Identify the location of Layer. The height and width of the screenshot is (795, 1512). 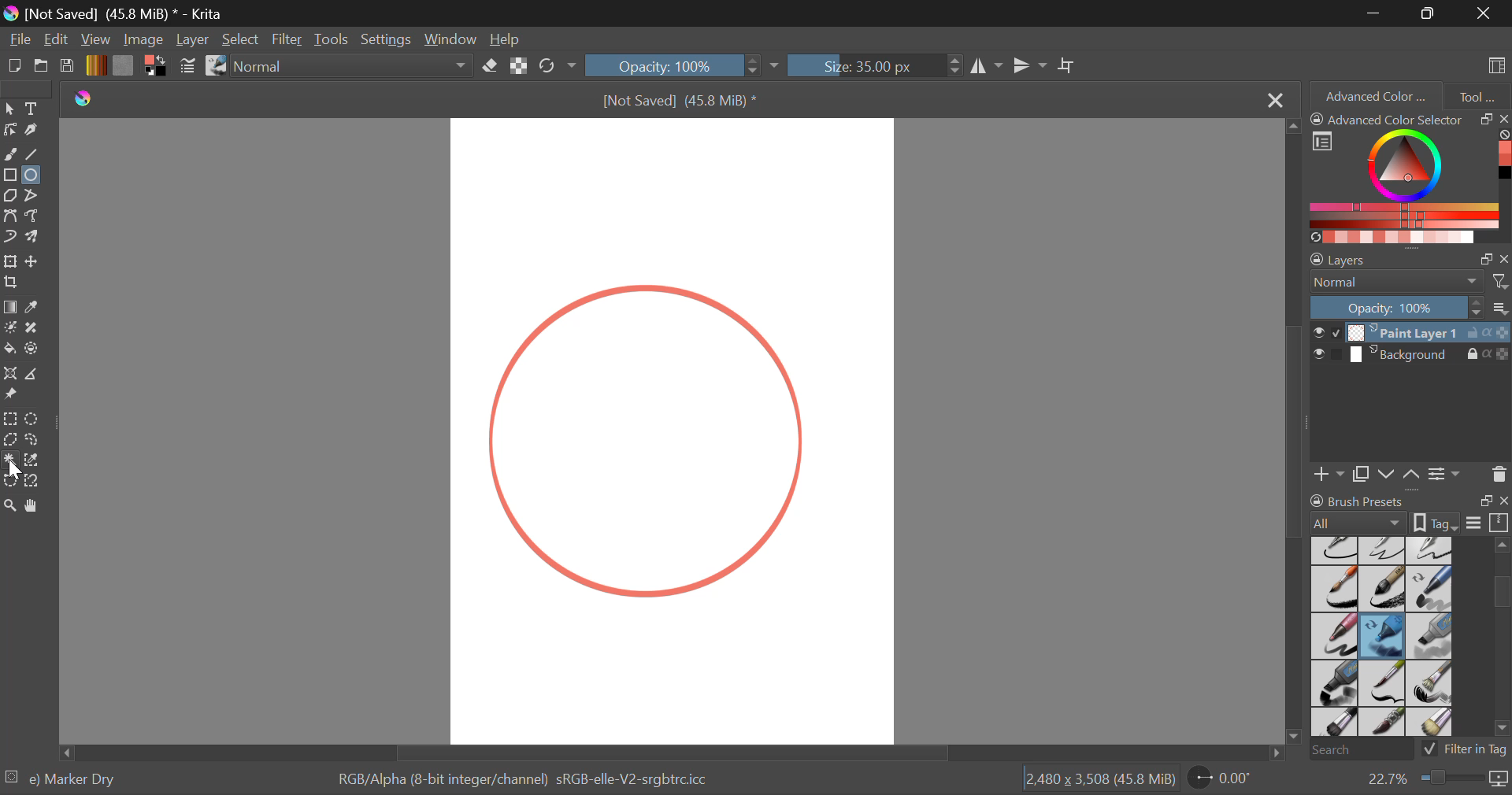
(192, 39).